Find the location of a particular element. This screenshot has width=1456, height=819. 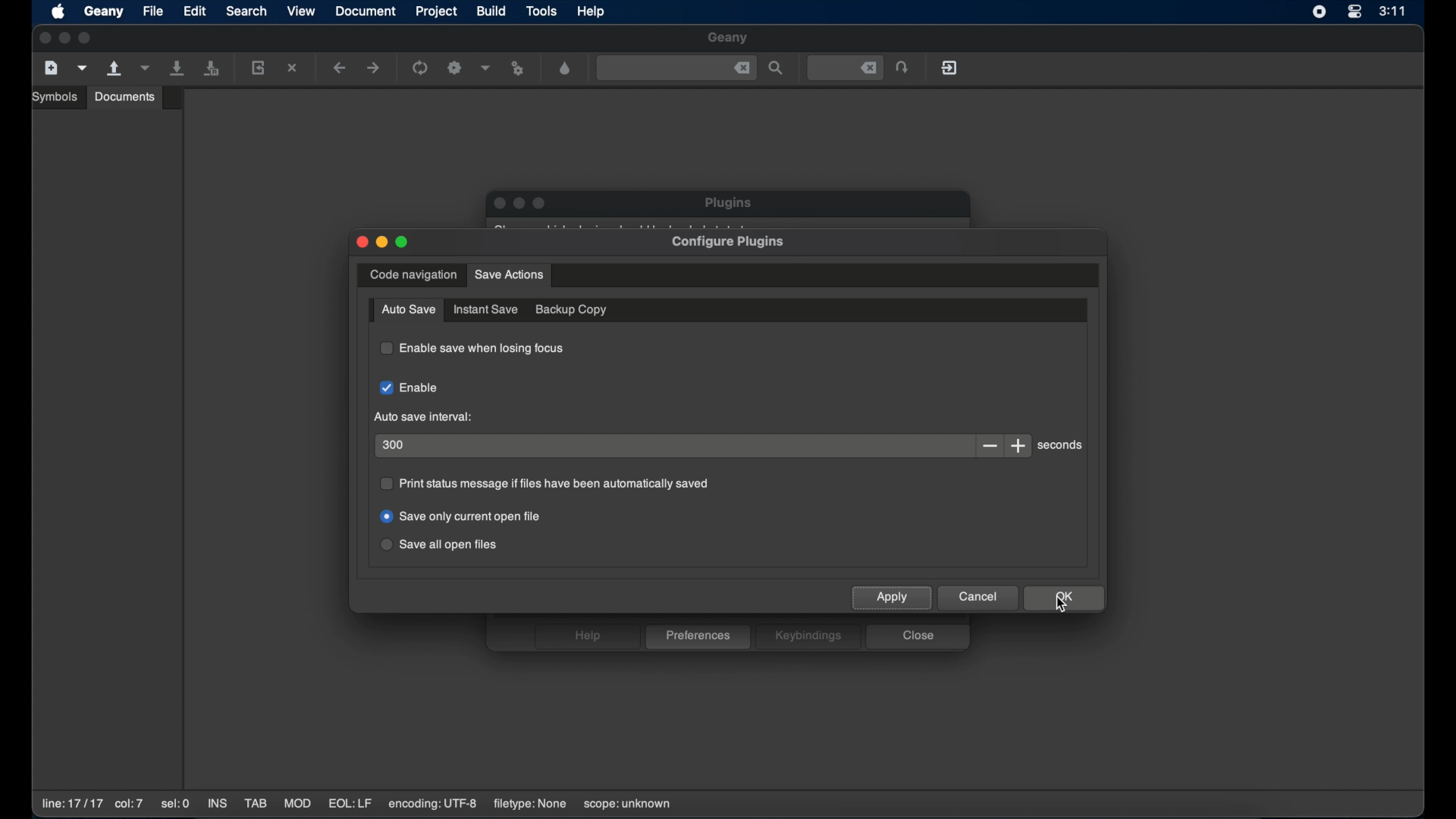

build the current file is located at coordinates (457, 69).